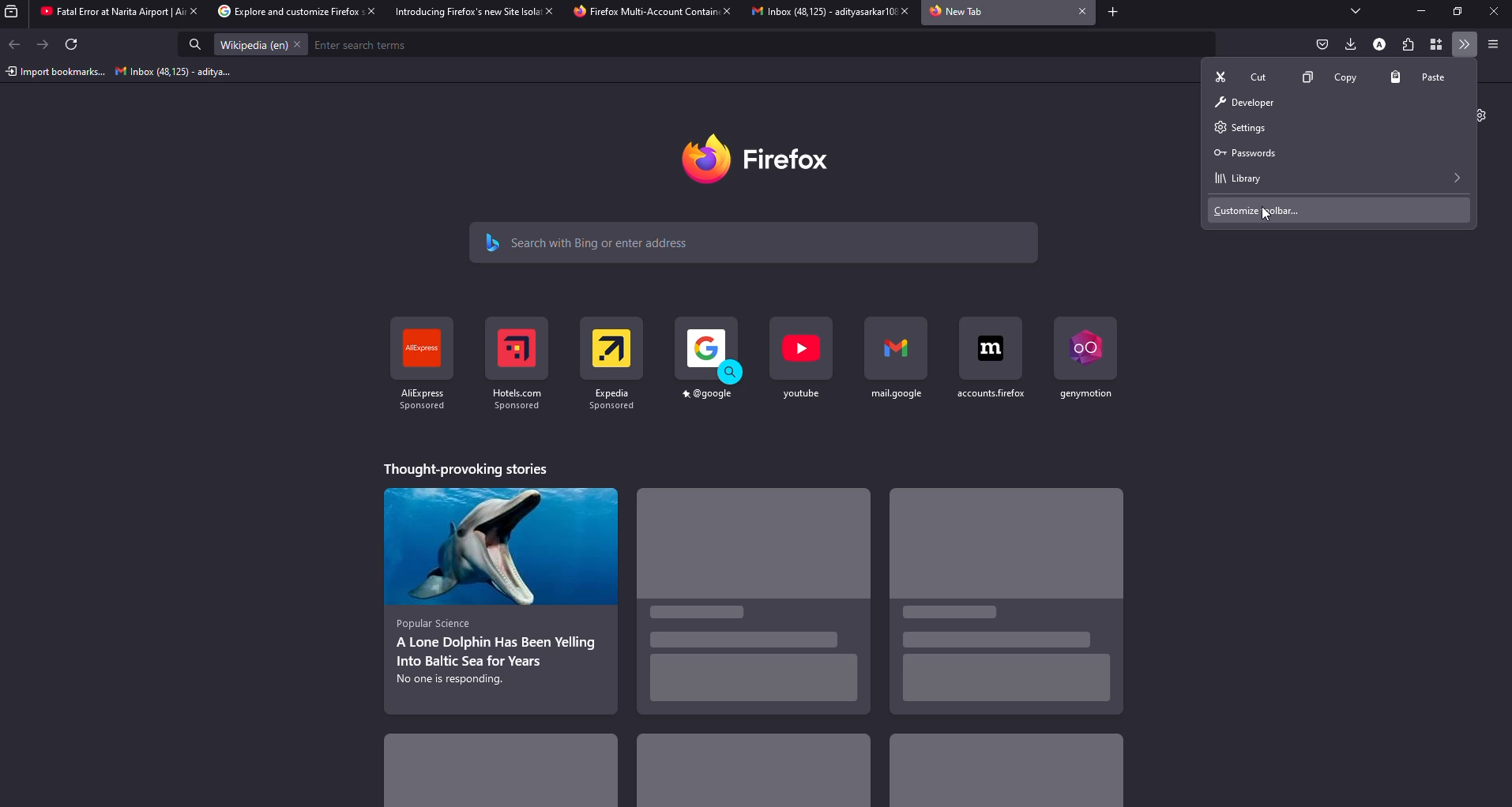 Image resolution: width=1512 pixels, height=807 pixels. What do you see at coordinates (1244, 152) in the screenshot?
I see `passwords` at bounding box center [1244, 152].